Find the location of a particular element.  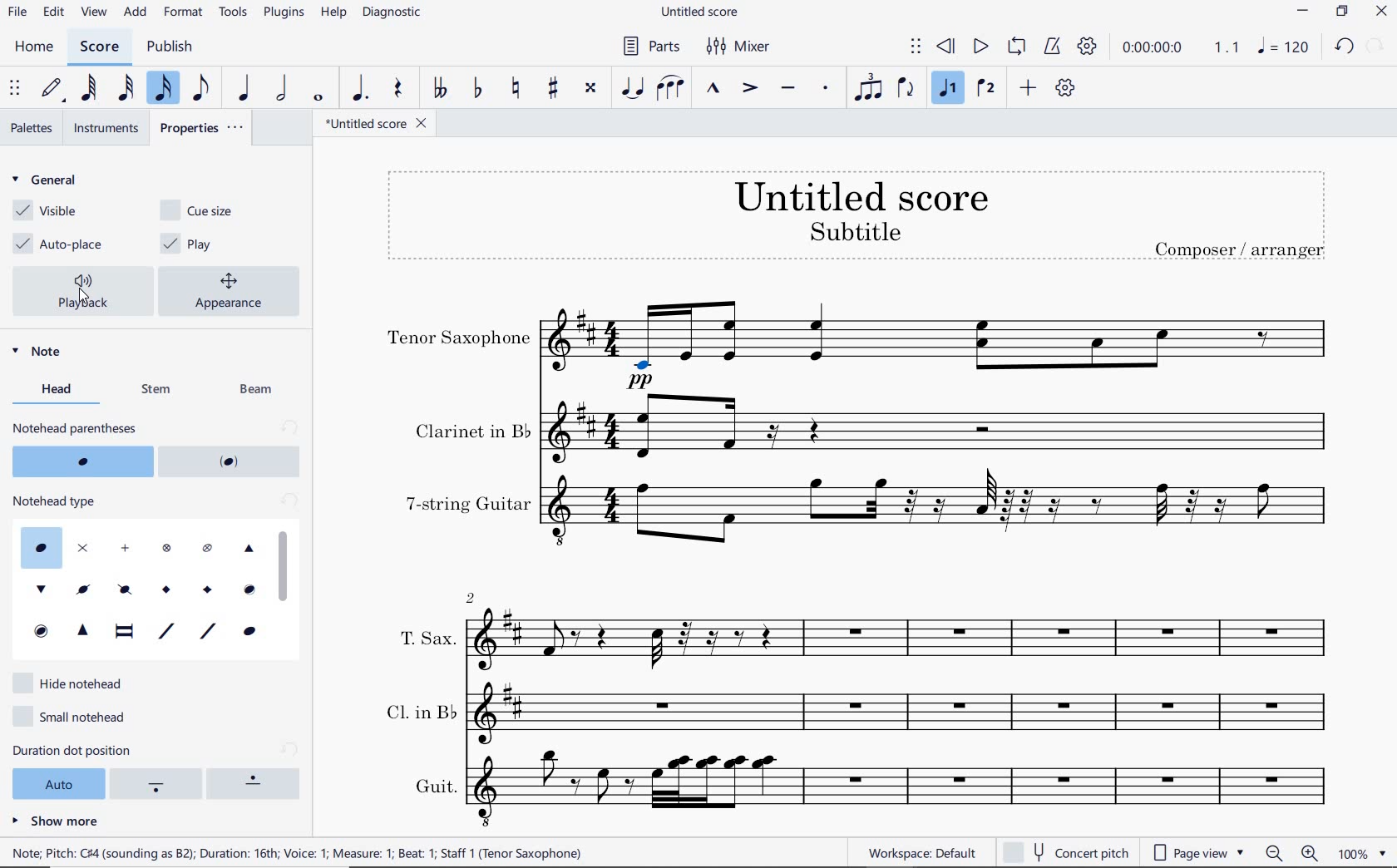

hide notehead is located at coordinates (74, 682).